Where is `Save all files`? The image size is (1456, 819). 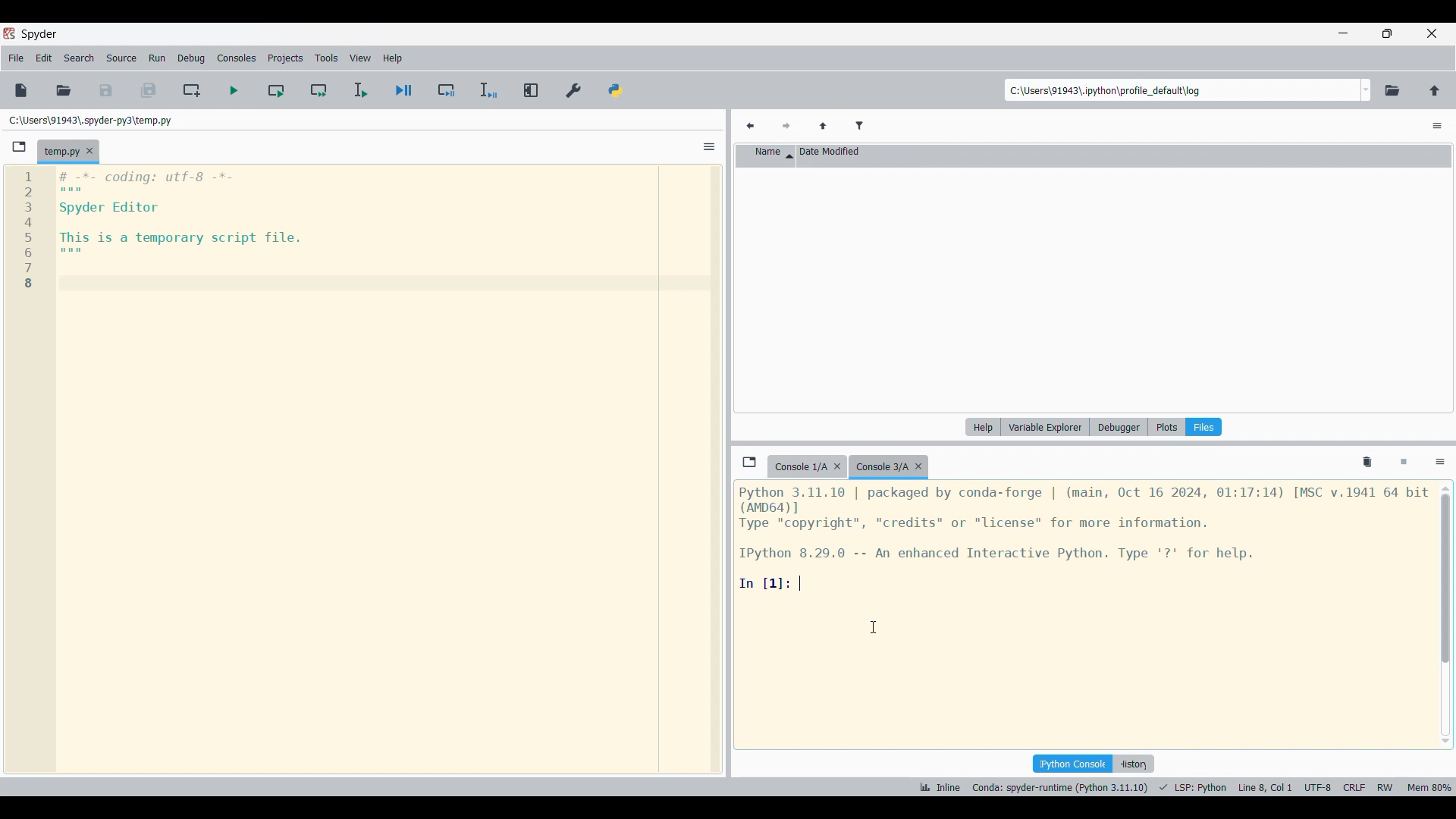
Save all files is located at coordinates (148, 90).